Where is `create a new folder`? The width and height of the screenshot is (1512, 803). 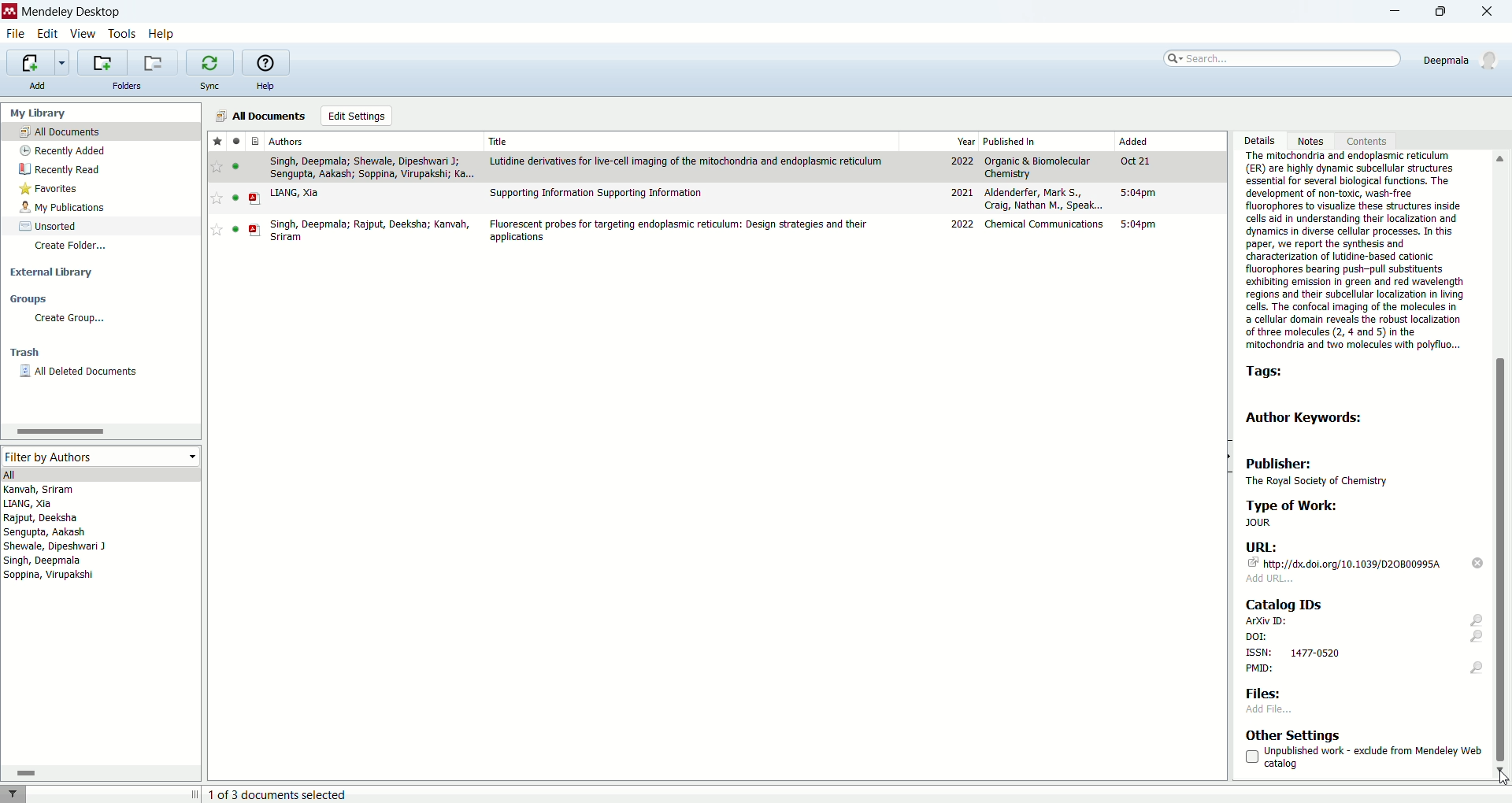
create a new folder is located at coordinates (101, 62).